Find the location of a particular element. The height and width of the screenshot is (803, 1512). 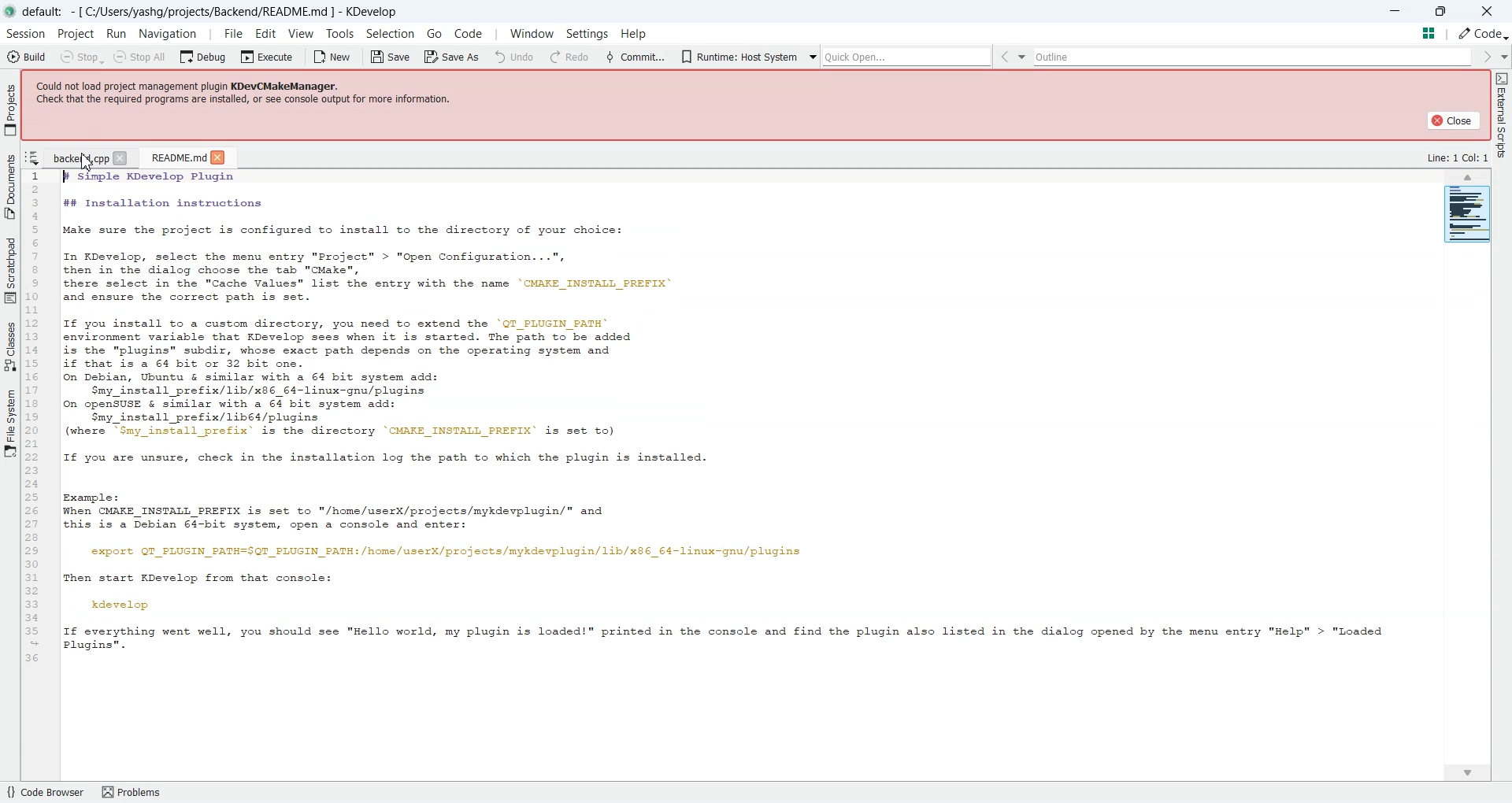

In KDevelop, select the menu entry "Project" > "Open Configuration...",

then in the dialog choose the tab "CMake",

there select in the "Cache Values" list the entry with the name 'CMAKE_ INSTALL PREFIX"
and ensure the correct path is set. is located at coordinates (361, 278).